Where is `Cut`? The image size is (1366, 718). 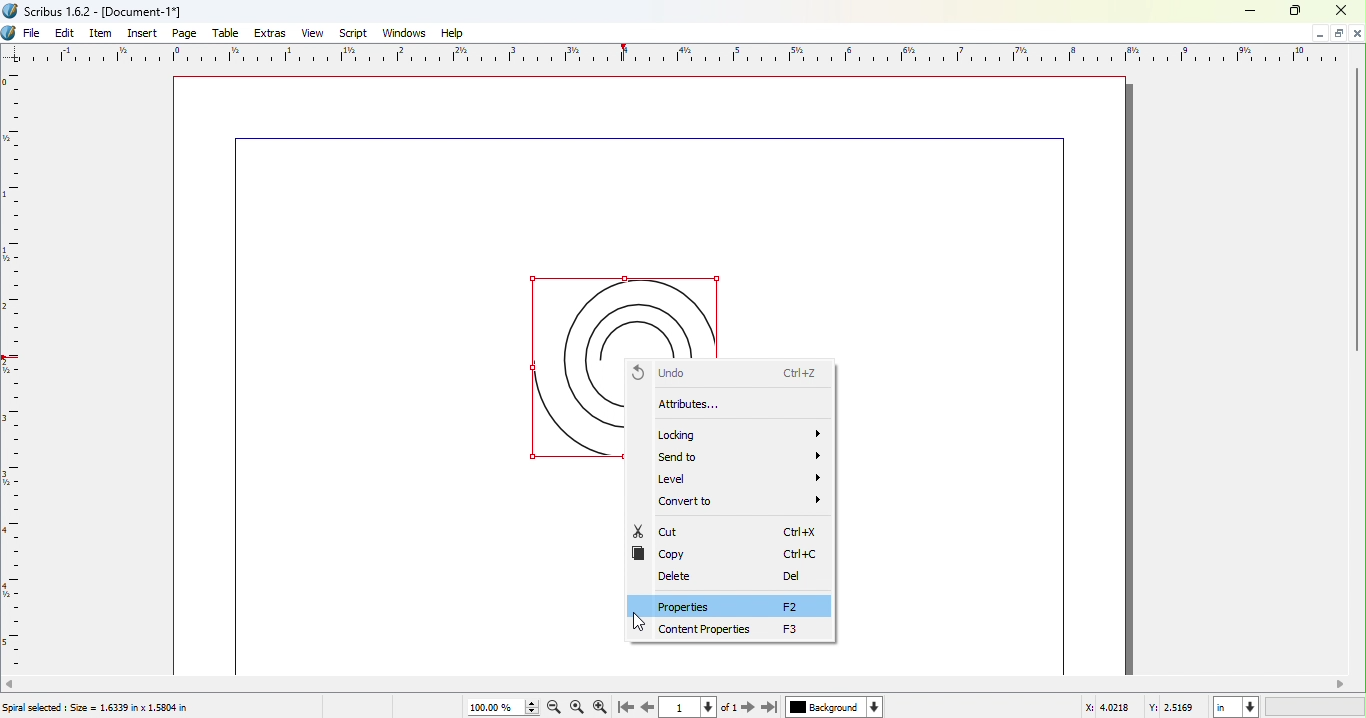 Cut is located at coordinates (728, 532).